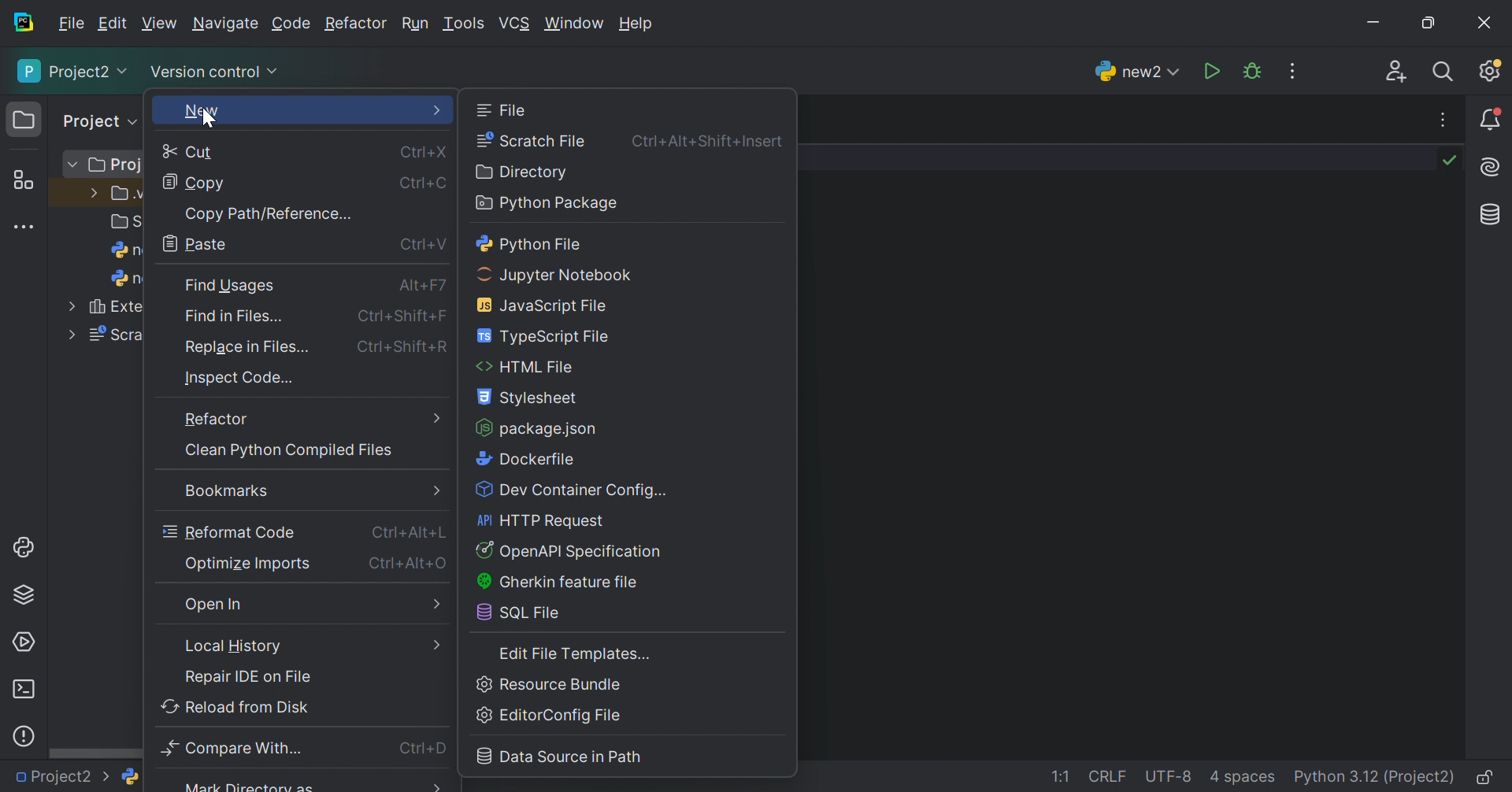  I want to click on Ctrl+Alt+O, so click(406, 562).